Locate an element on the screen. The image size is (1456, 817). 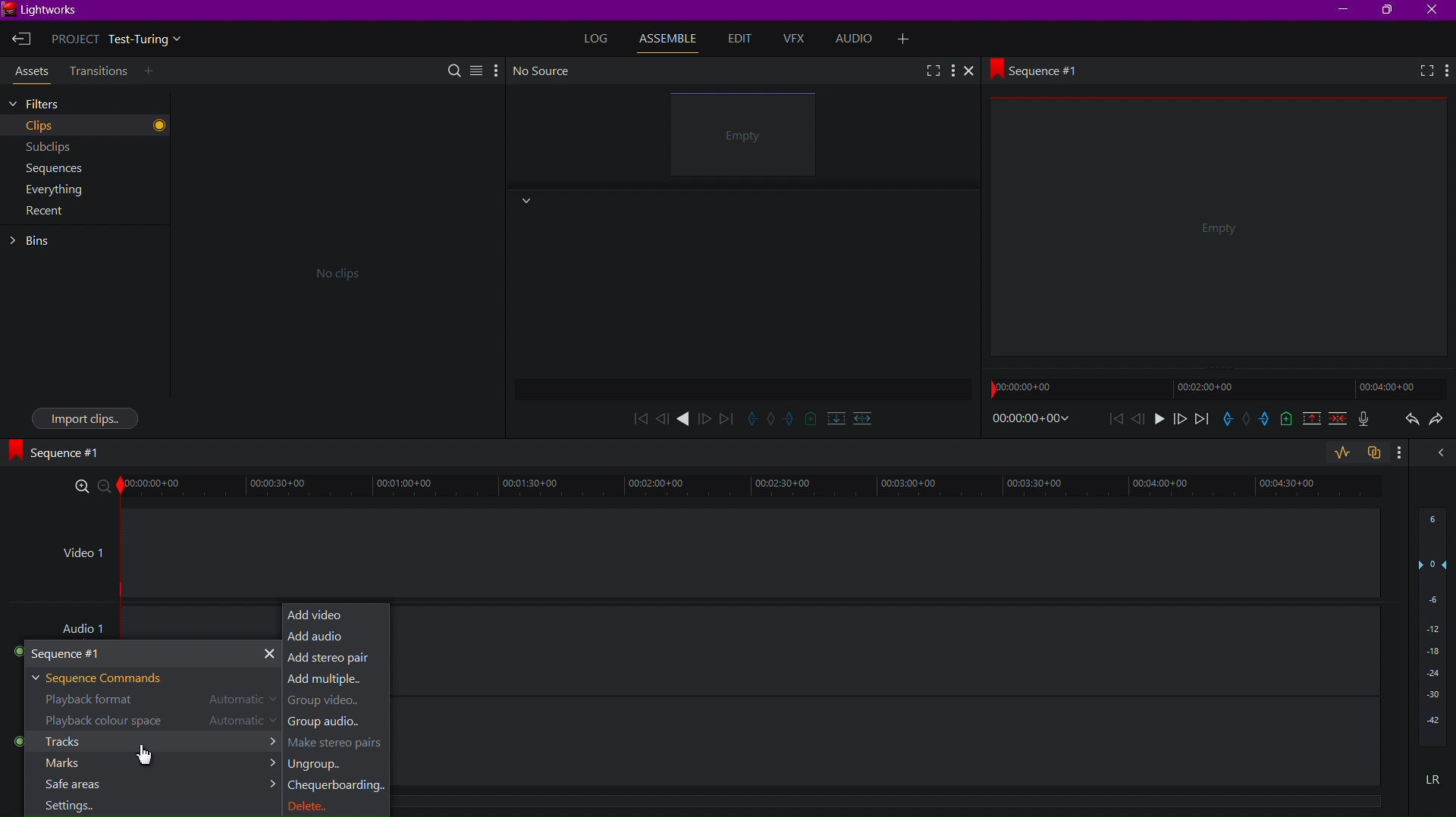
Assets is located at coordinates (29, 74).